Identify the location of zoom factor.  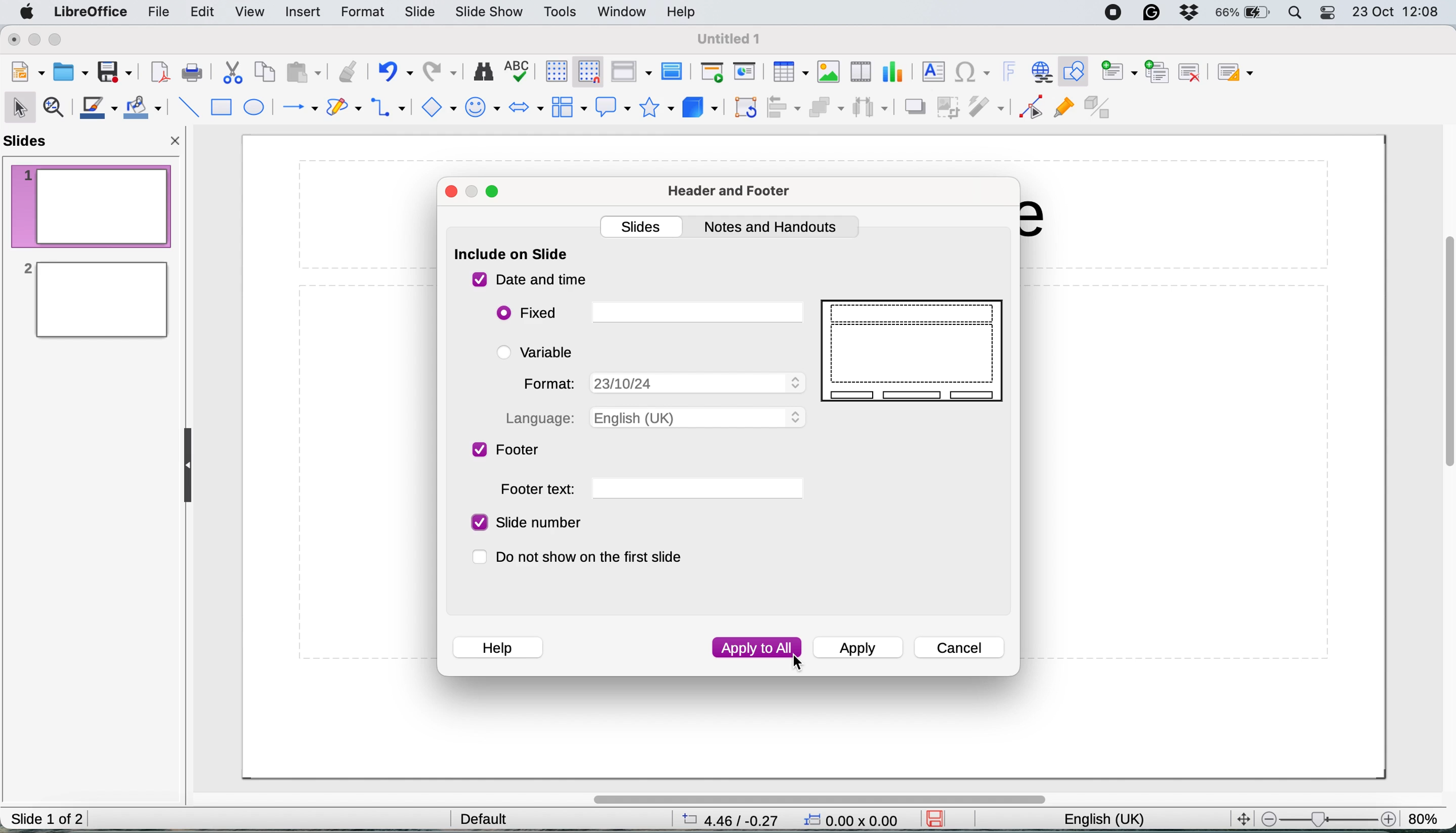
(1327, 819).